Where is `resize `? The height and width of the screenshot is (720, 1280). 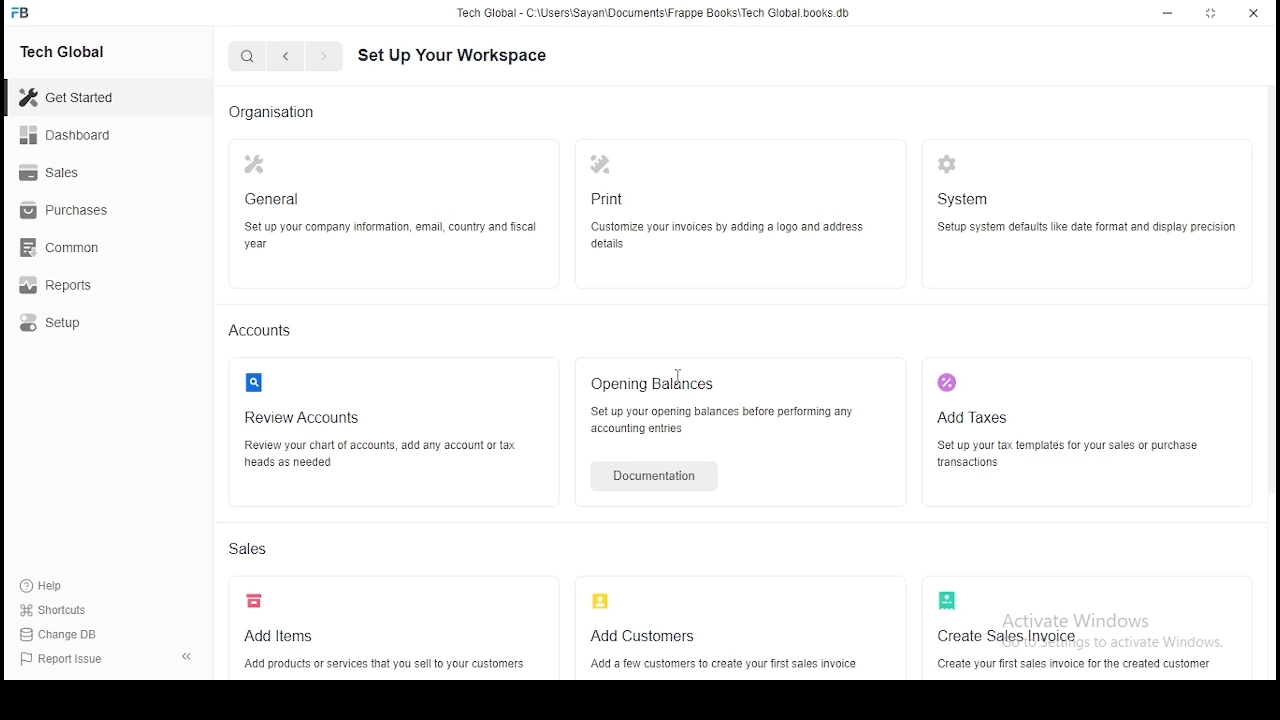 resize  is located at coordinates (1212, 14).